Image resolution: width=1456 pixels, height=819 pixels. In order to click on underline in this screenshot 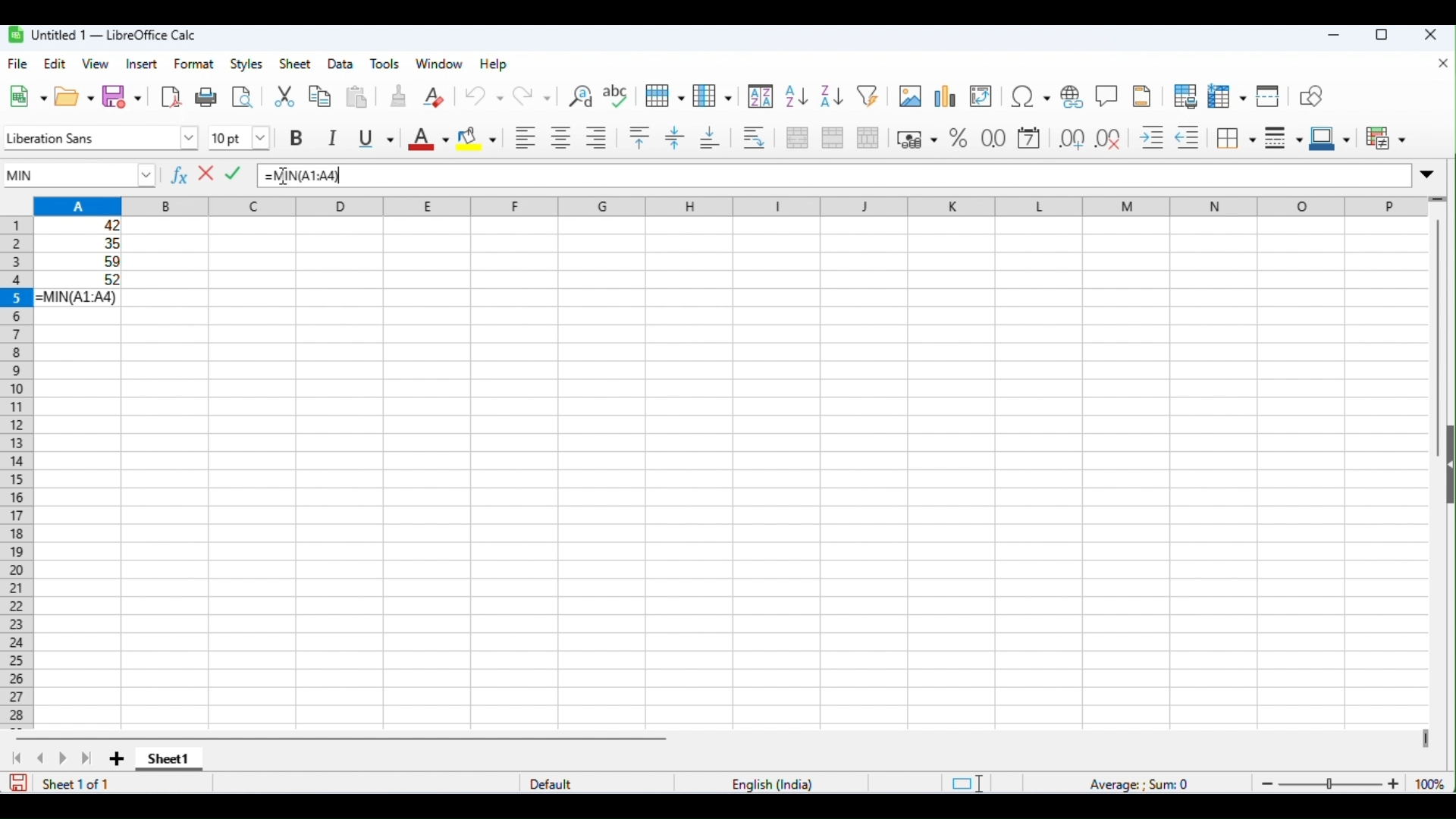, I will do `click(374, 138)`.